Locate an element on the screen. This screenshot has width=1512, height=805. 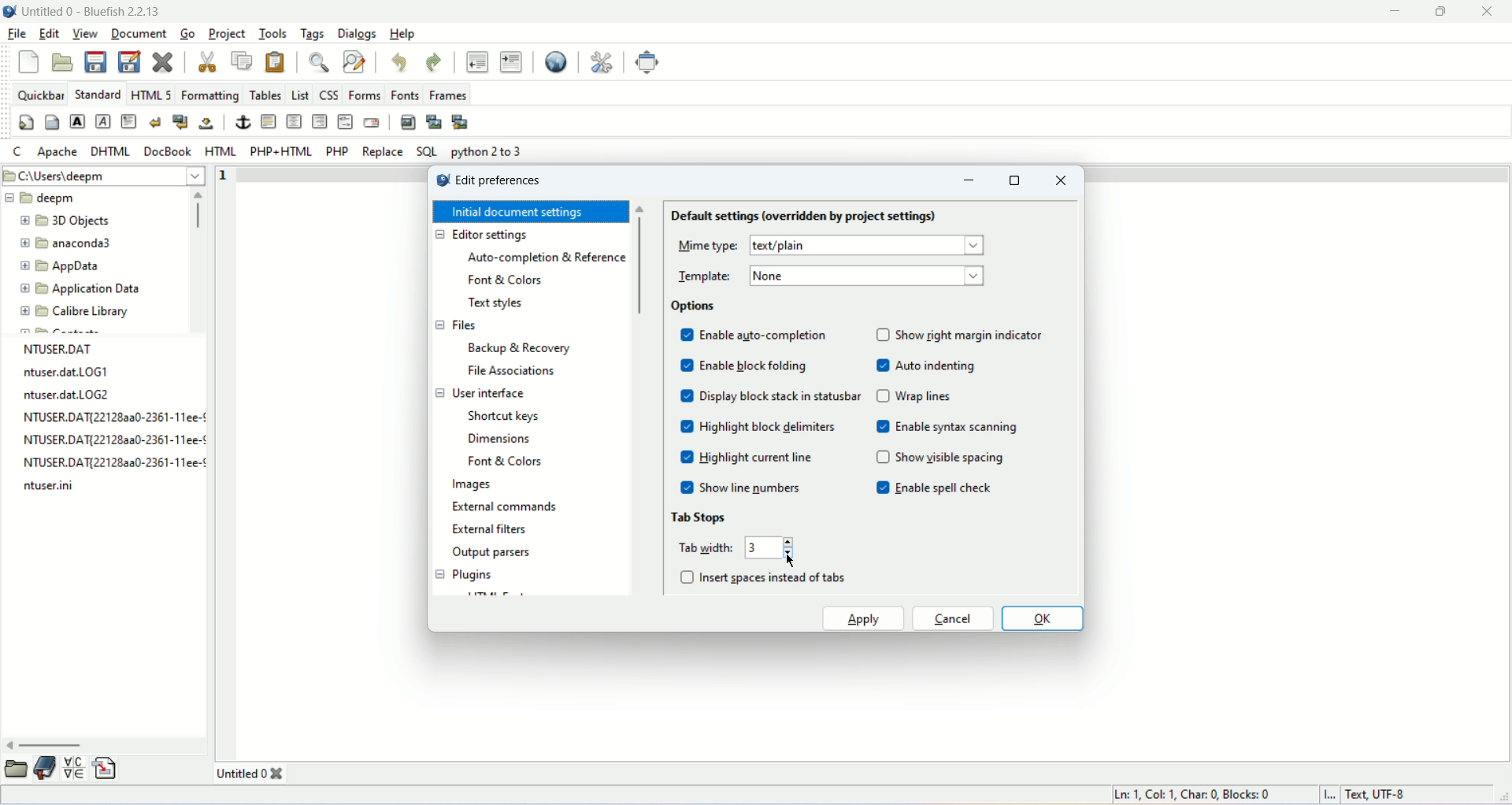
center is located at coordinates (293, 121).